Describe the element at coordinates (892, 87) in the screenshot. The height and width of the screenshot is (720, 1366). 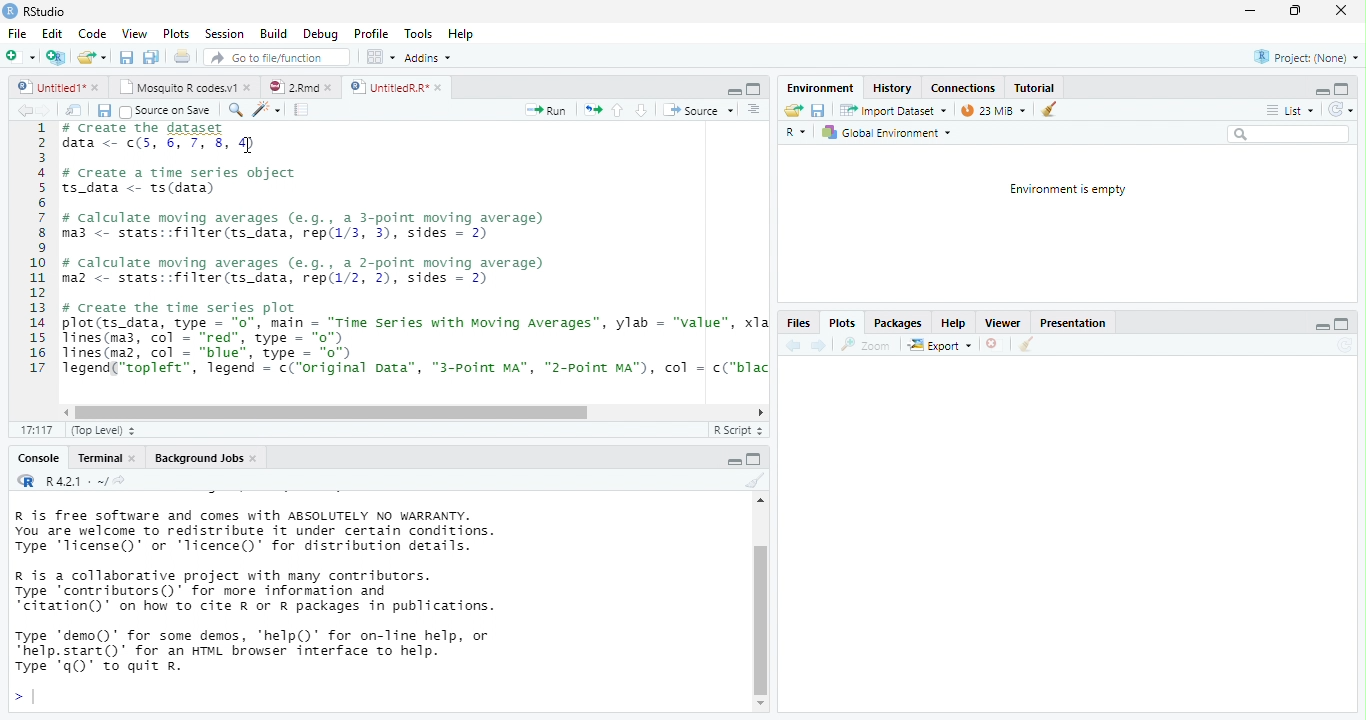
I see `History` at that location.